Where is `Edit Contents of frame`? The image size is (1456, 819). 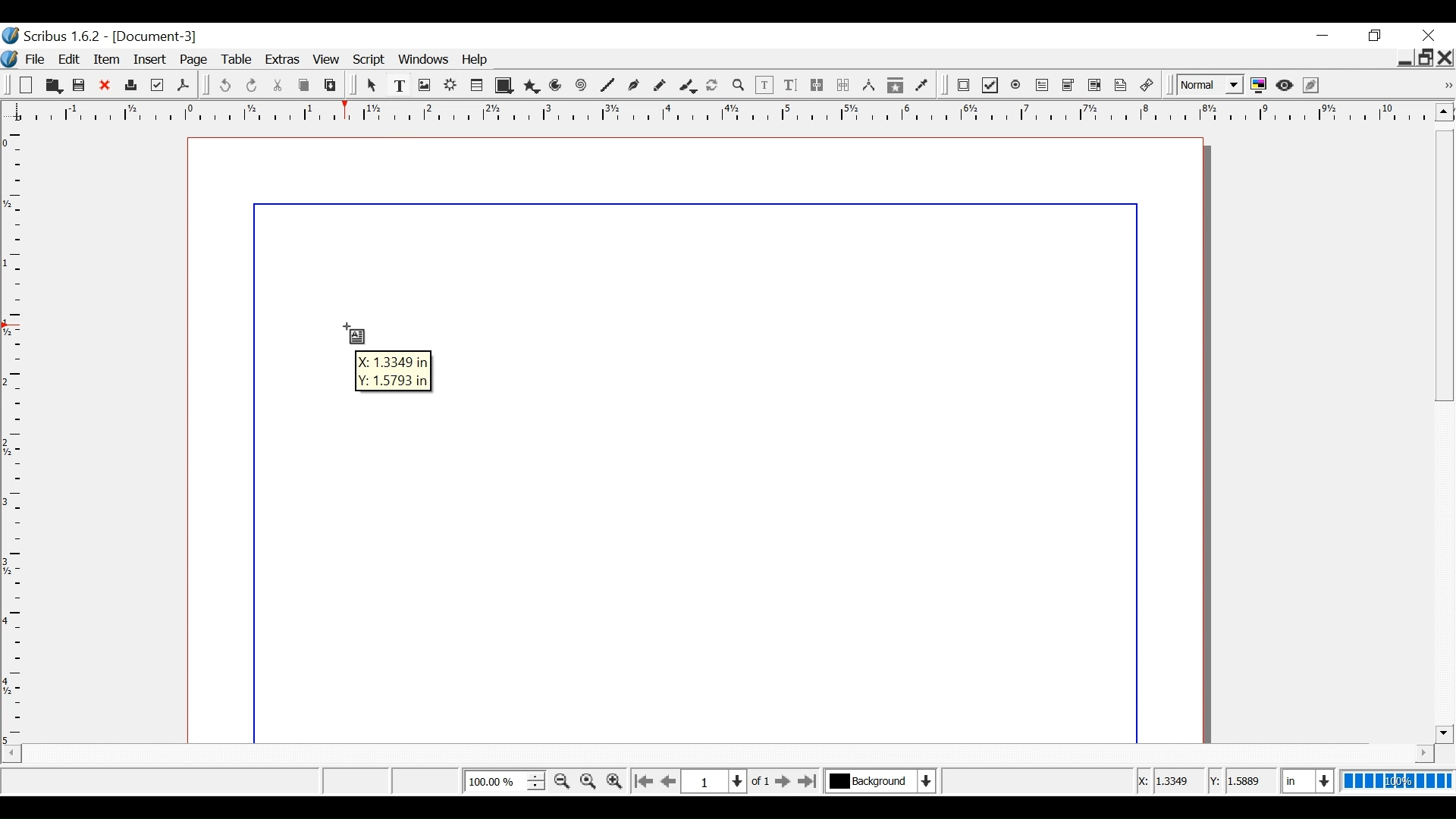
Edit Contents of frame is located at coordinates (764, 86).